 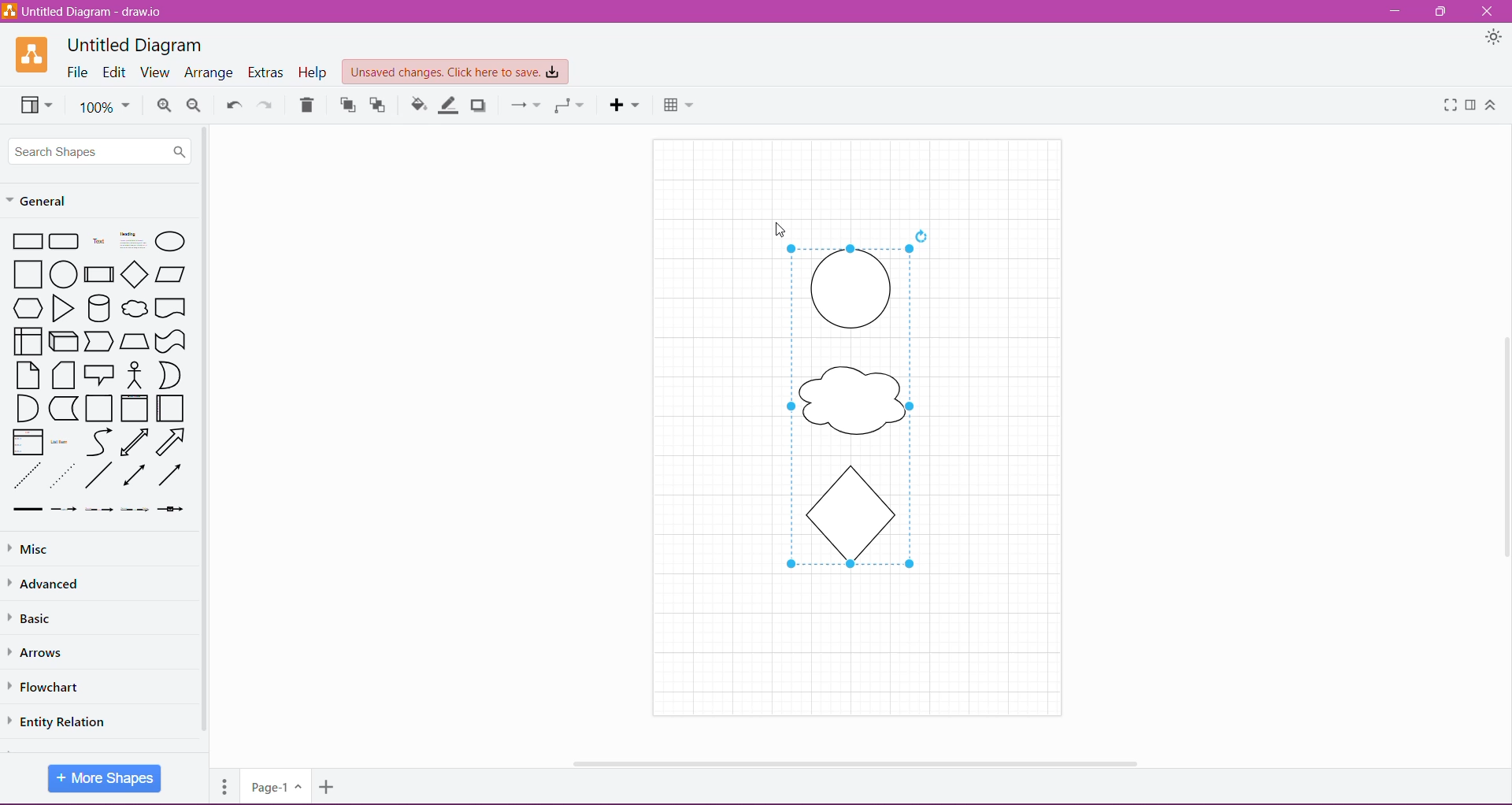 What do you see at coordinates (1395, 12) in the screenshot?
I see `Minimize` at bounding box center [1395, 12].